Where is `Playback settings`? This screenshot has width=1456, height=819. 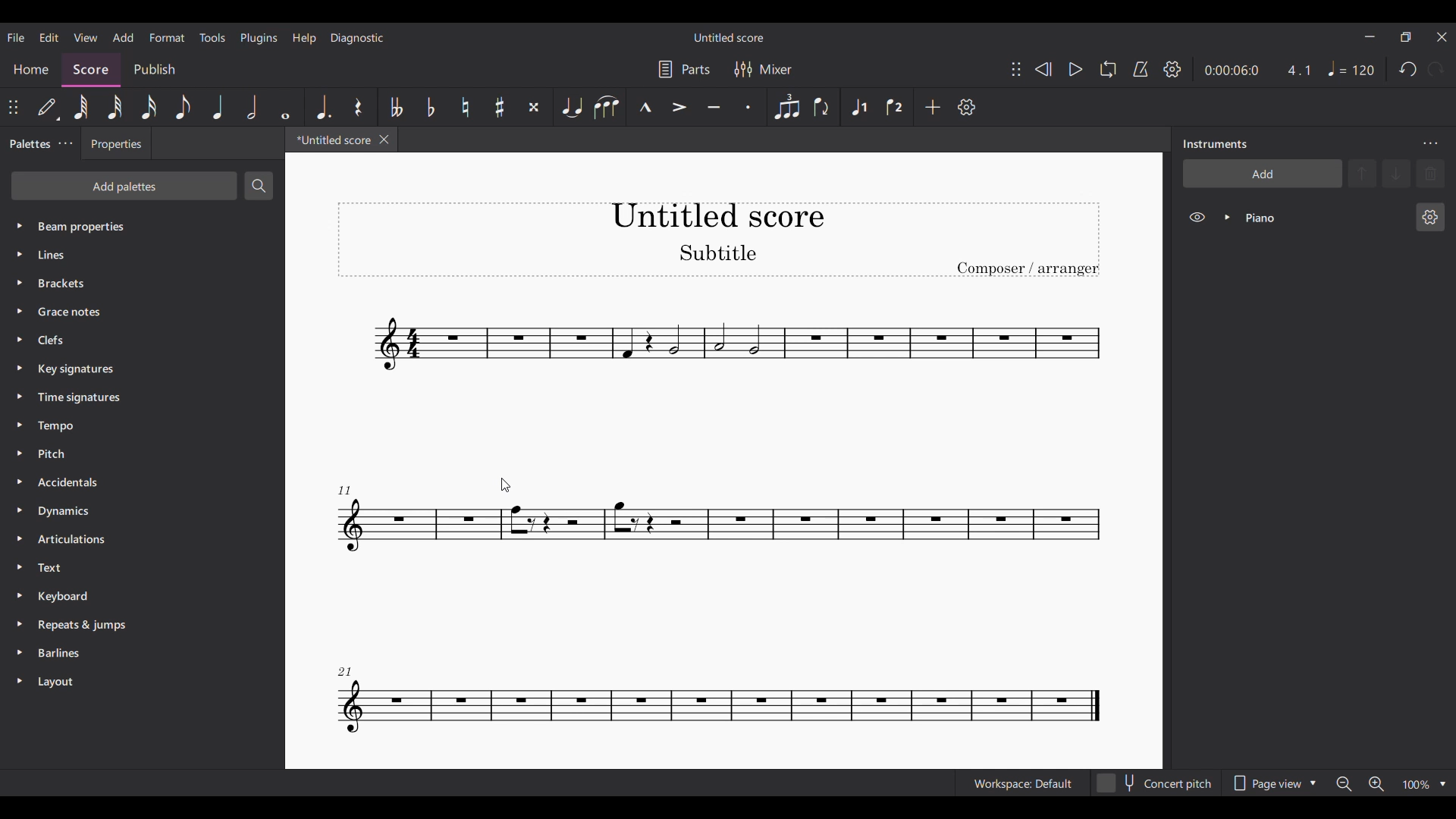
Playback settings is located at coordinates (1172, 69).